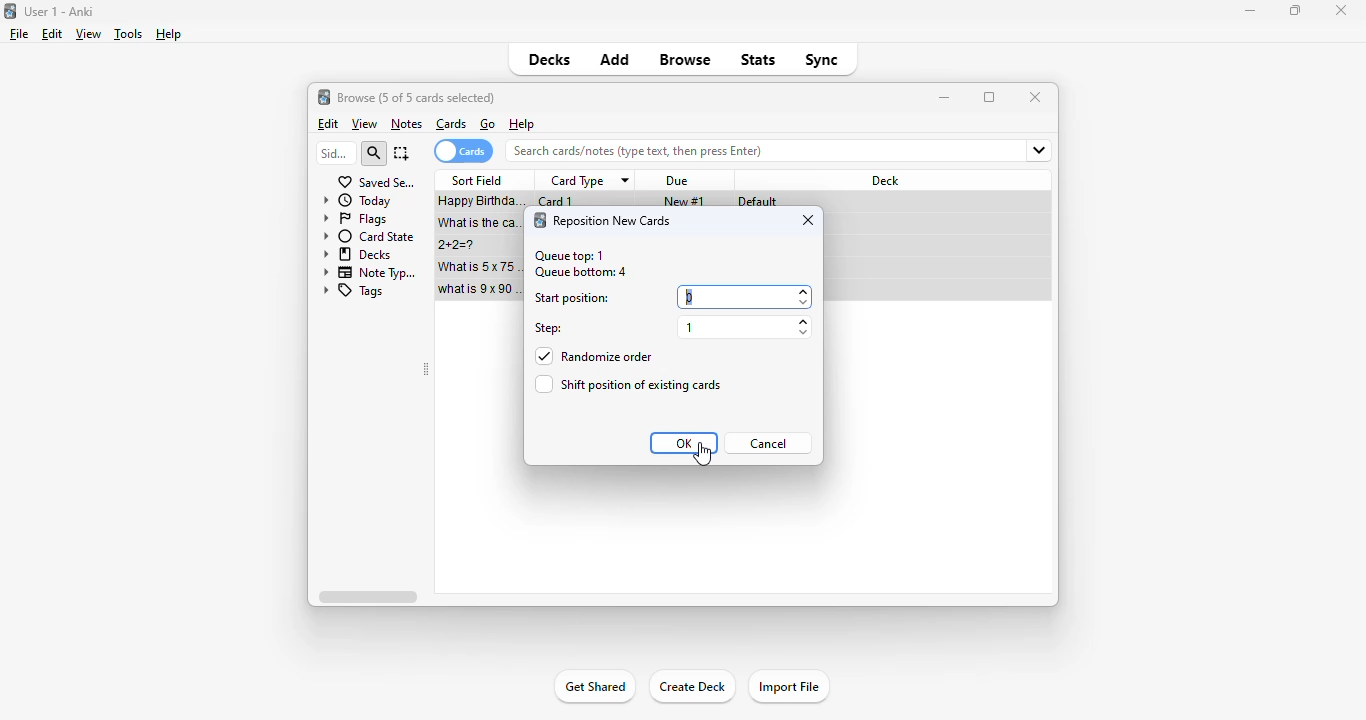 Image resolution: width=1366 pixels, height=720 pixels. I want to click on sidebar filter, so click(335, 153).